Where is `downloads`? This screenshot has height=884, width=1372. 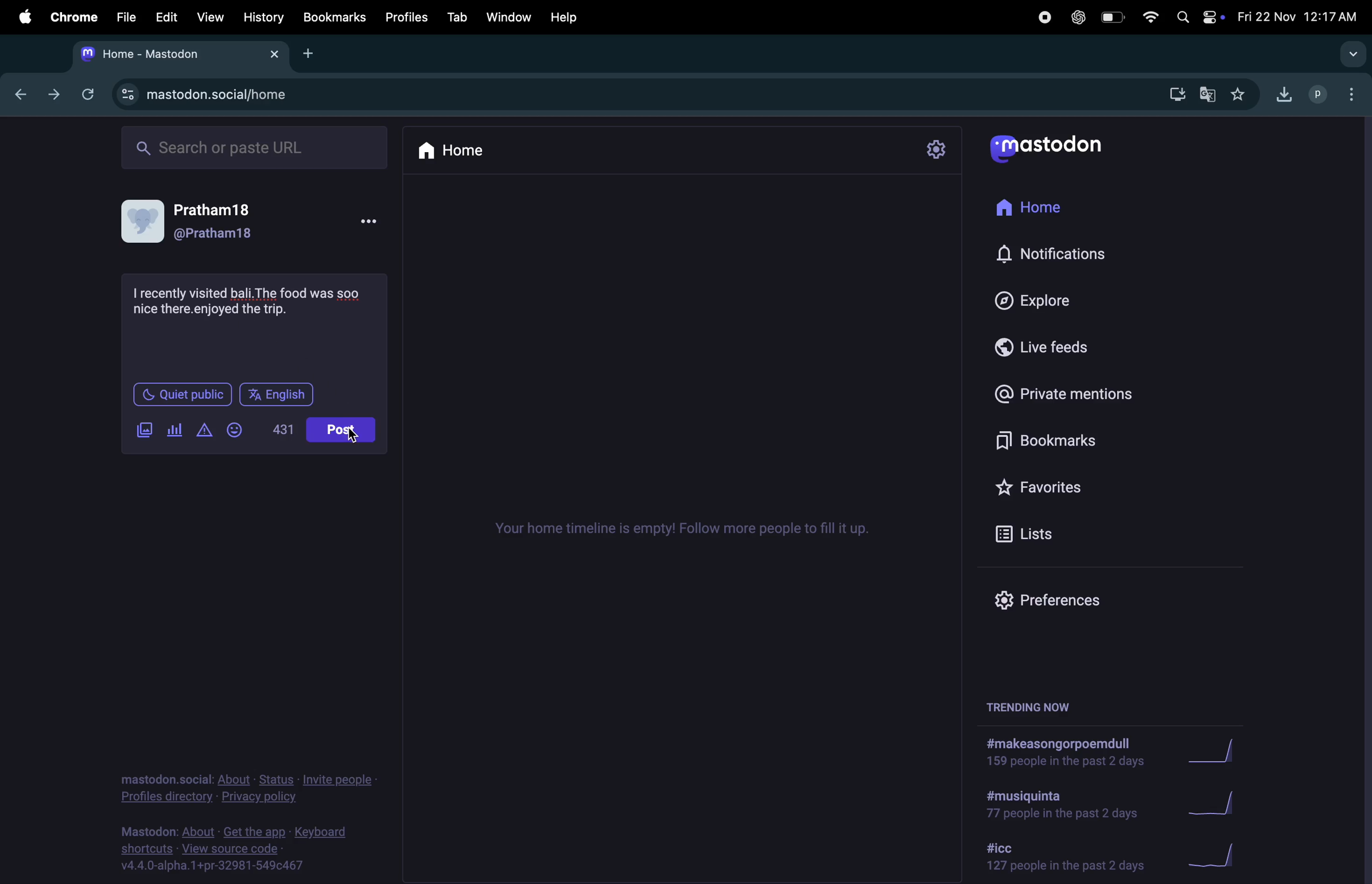
downloads is located at coordinates (1280, 97).